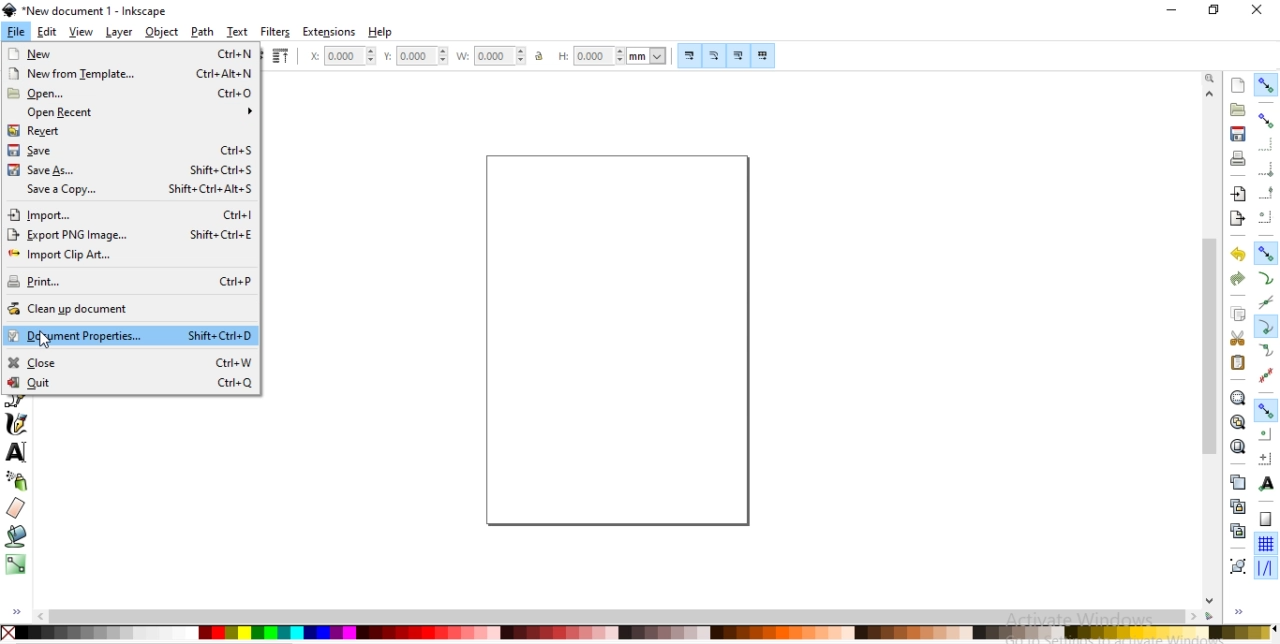 This screenshot has width=1280, height=644. Describe the element at coordinates (1238, 315) in the screenshot. I see `copy` at that location.